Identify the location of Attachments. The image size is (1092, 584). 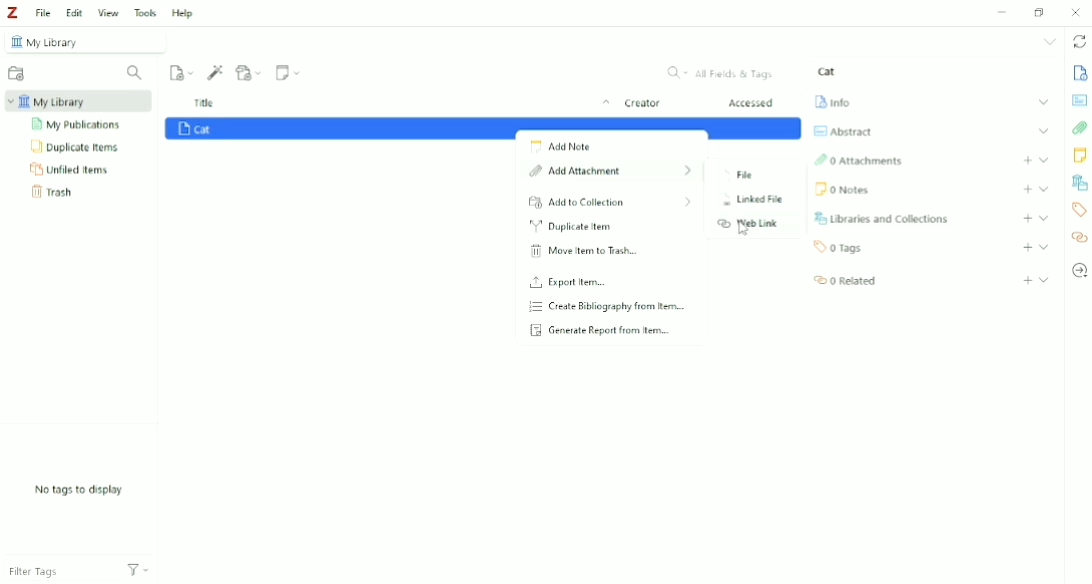
(858, 161).